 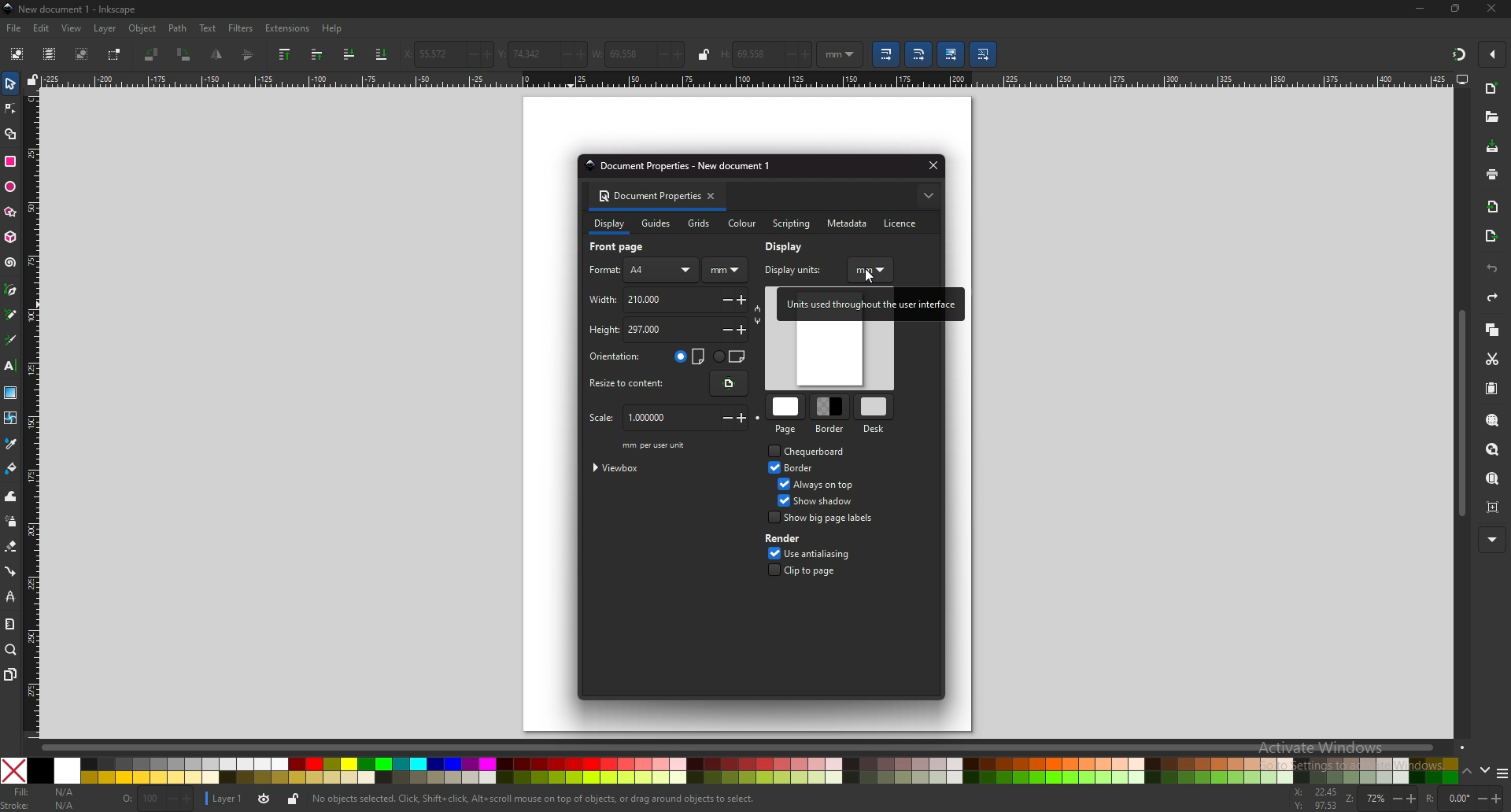 I want to click on copy, so click(x=1493, y=330).